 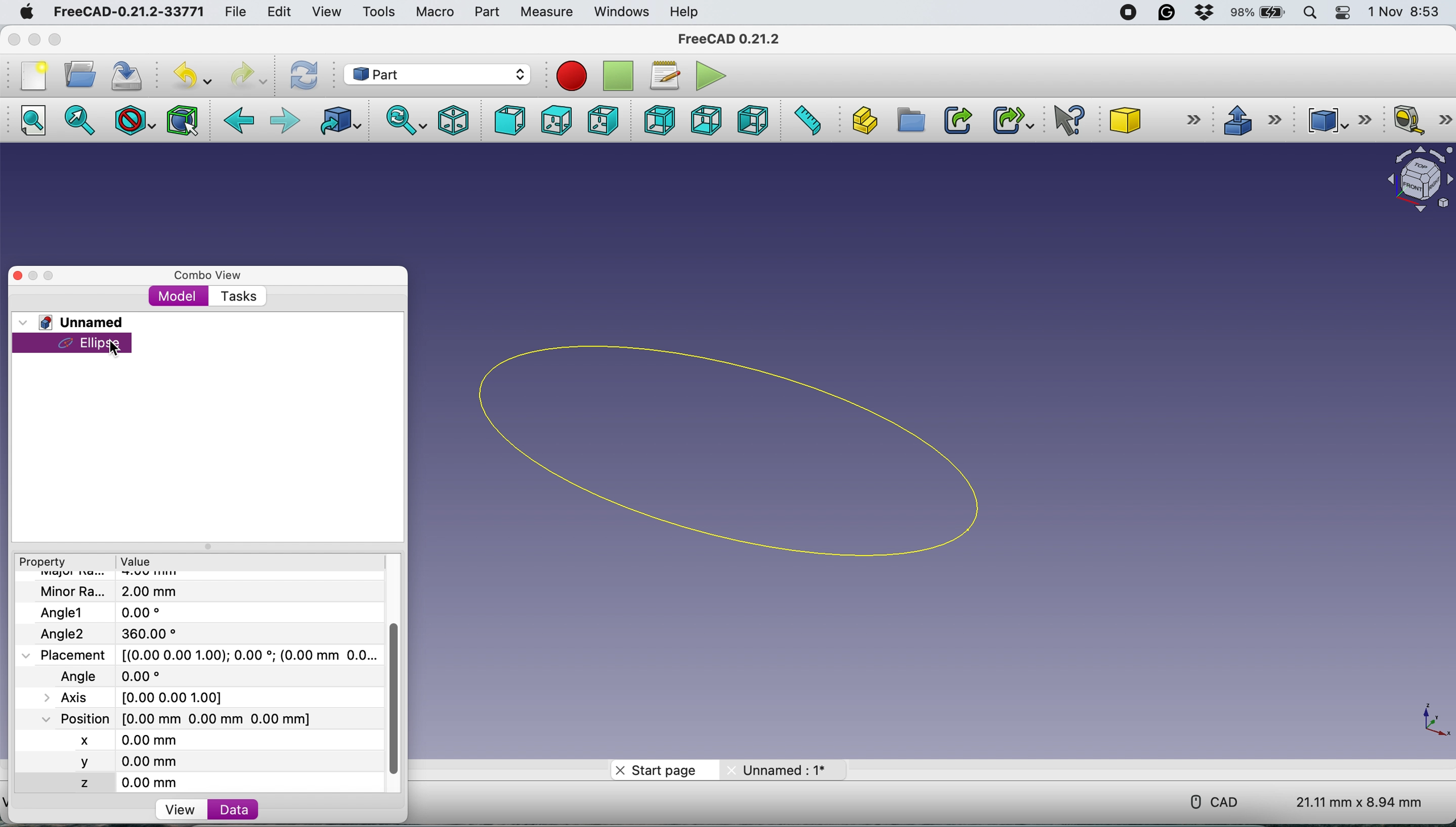 I want to click on system logo, so click(x=28, y=12).